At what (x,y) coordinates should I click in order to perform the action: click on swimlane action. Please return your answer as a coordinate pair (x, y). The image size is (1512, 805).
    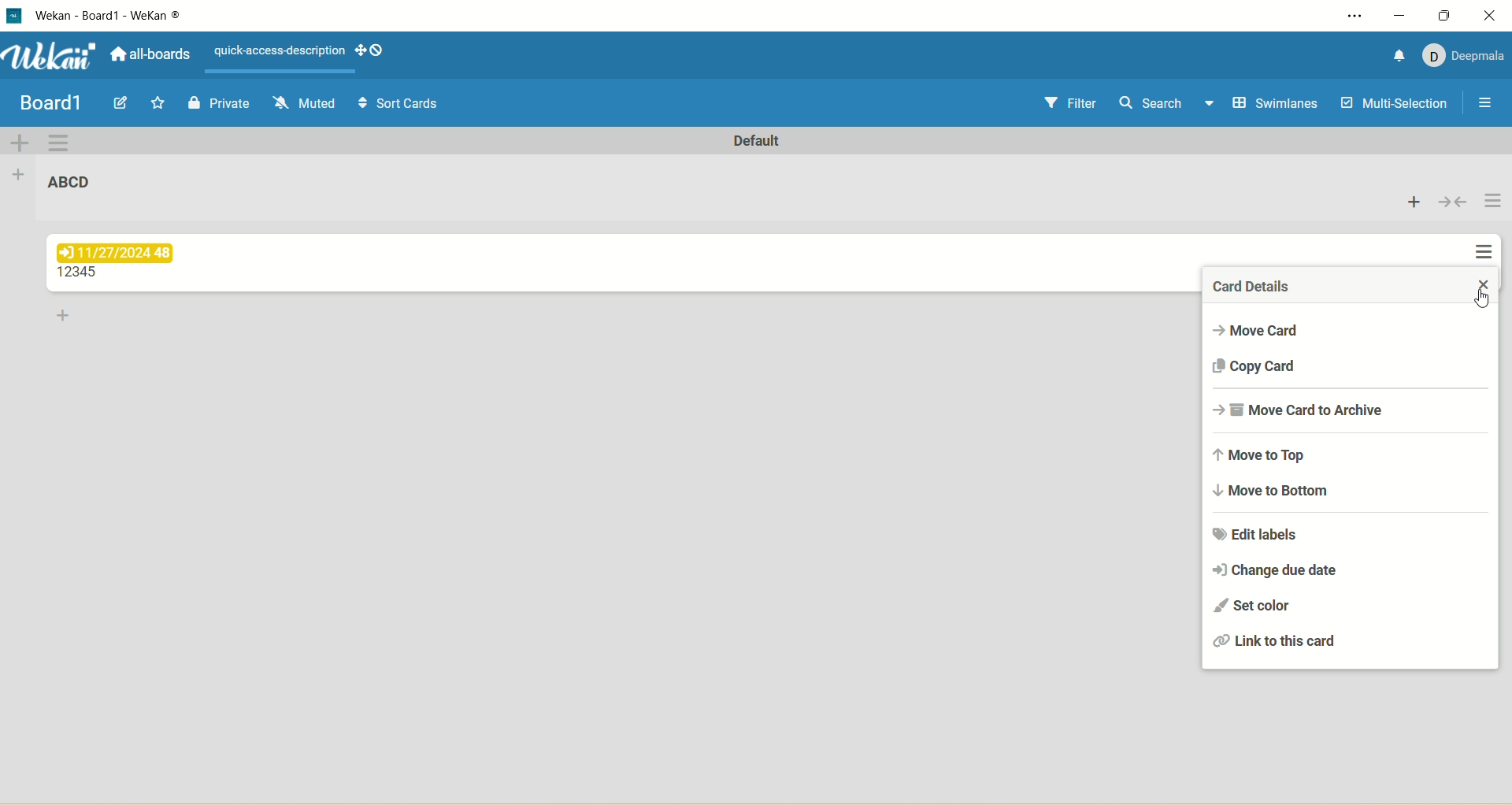
    Looking at the image, I should click on (59, 143).